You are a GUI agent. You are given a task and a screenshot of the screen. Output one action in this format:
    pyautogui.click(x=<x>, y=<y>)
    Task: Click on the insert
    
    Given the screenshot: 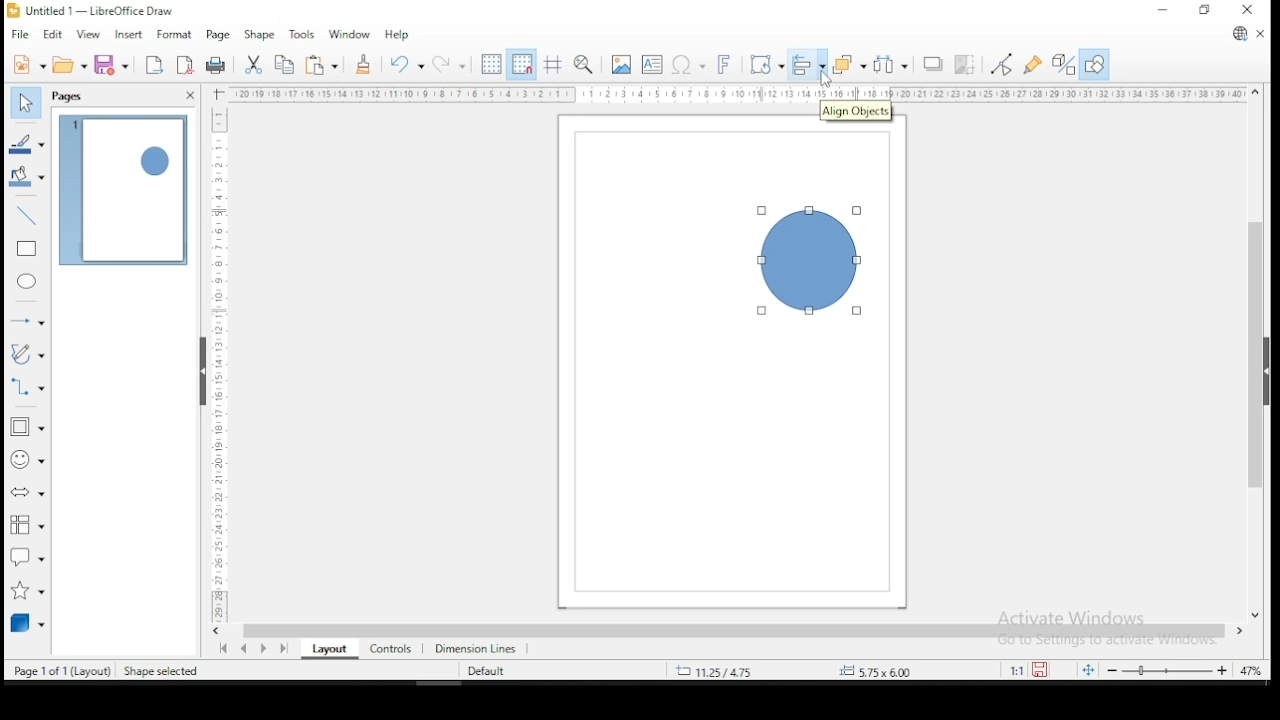 What is the action you would take?
    pyautogui.click(x=126, y=35)
    